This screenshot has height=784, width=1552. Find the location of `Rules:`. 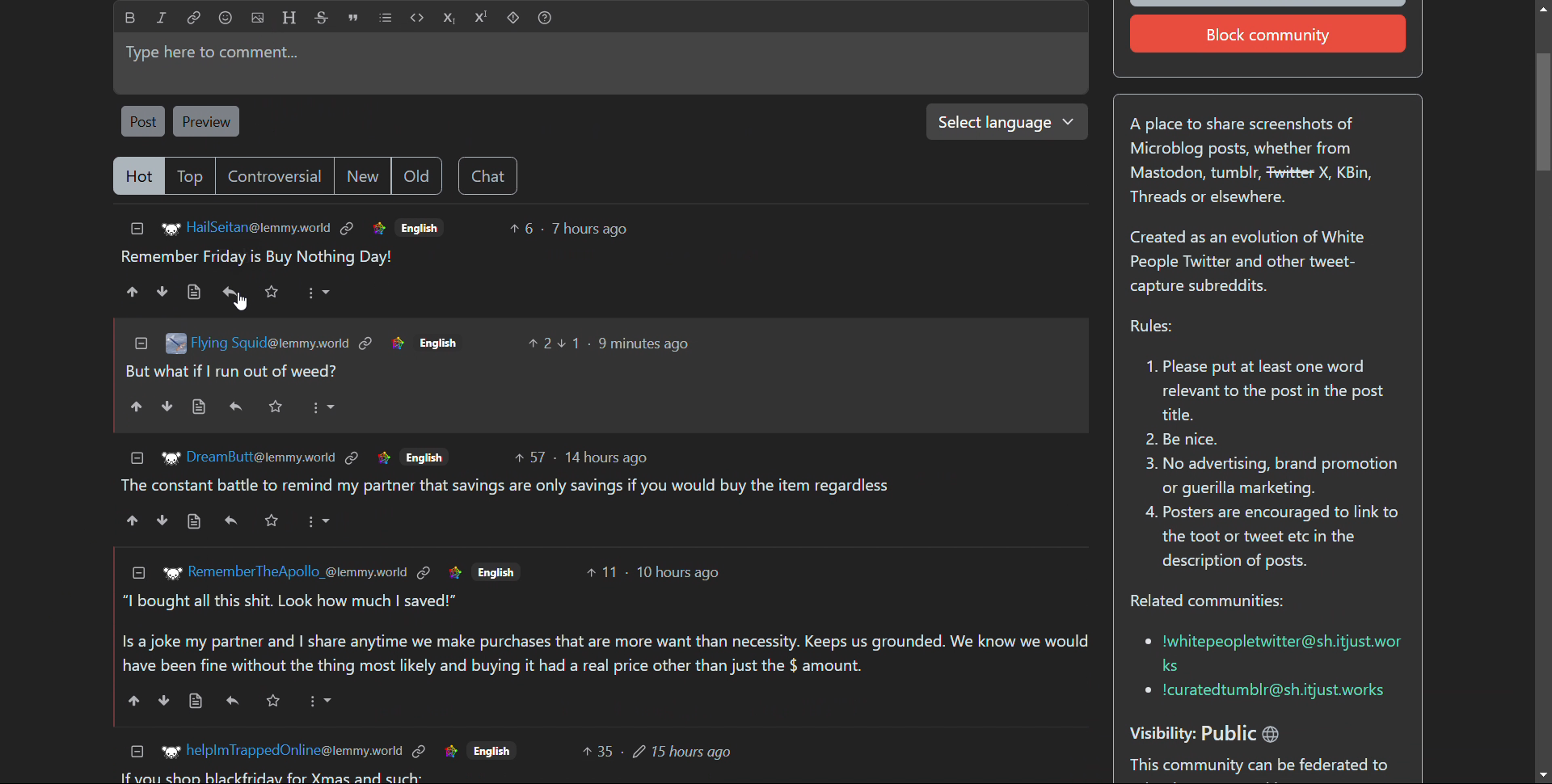

Rules: is located at coordinates (1149, 327).